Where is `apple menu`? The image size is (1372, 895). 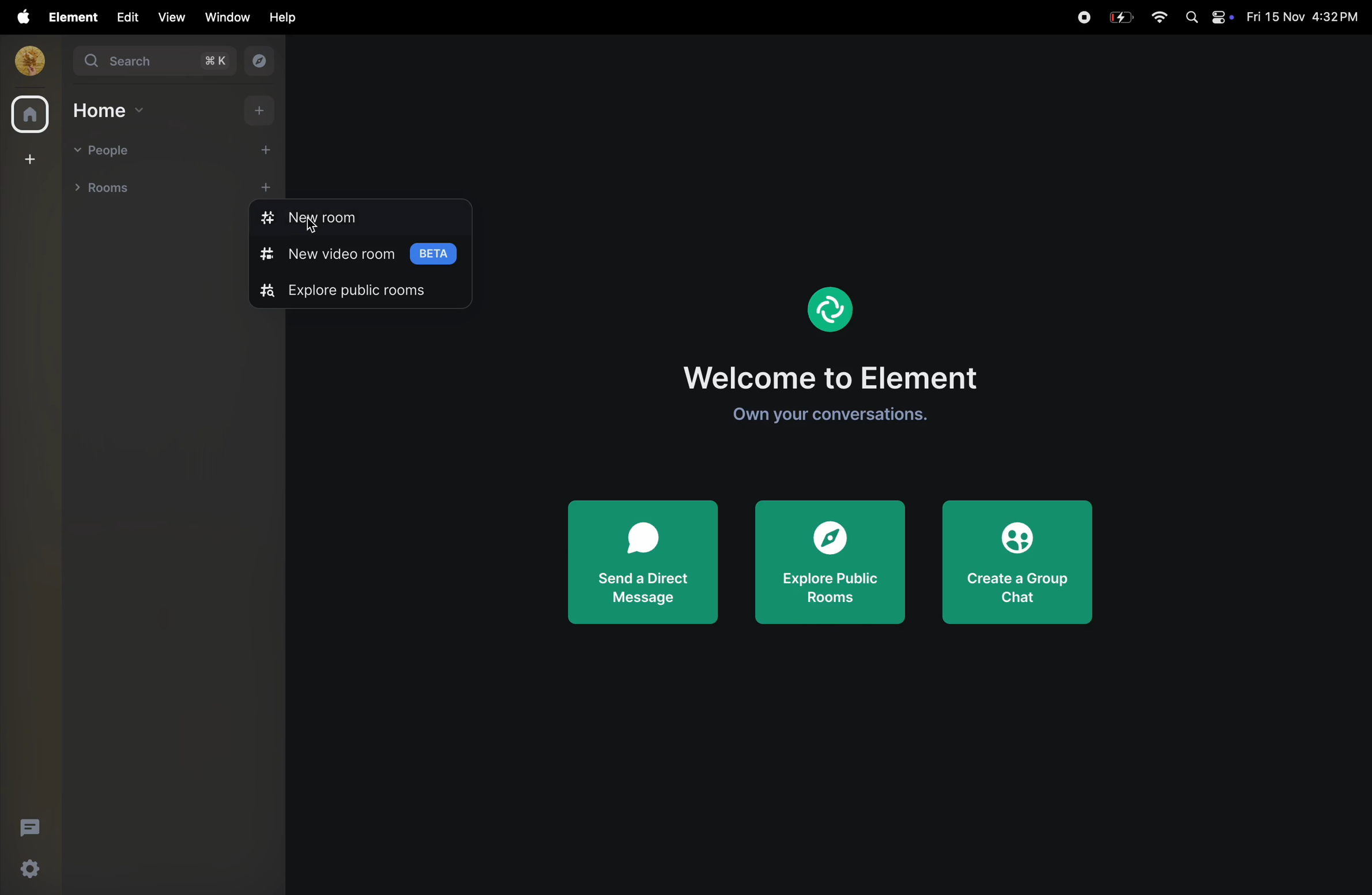 apple menu is located at coordinates (18, 17).